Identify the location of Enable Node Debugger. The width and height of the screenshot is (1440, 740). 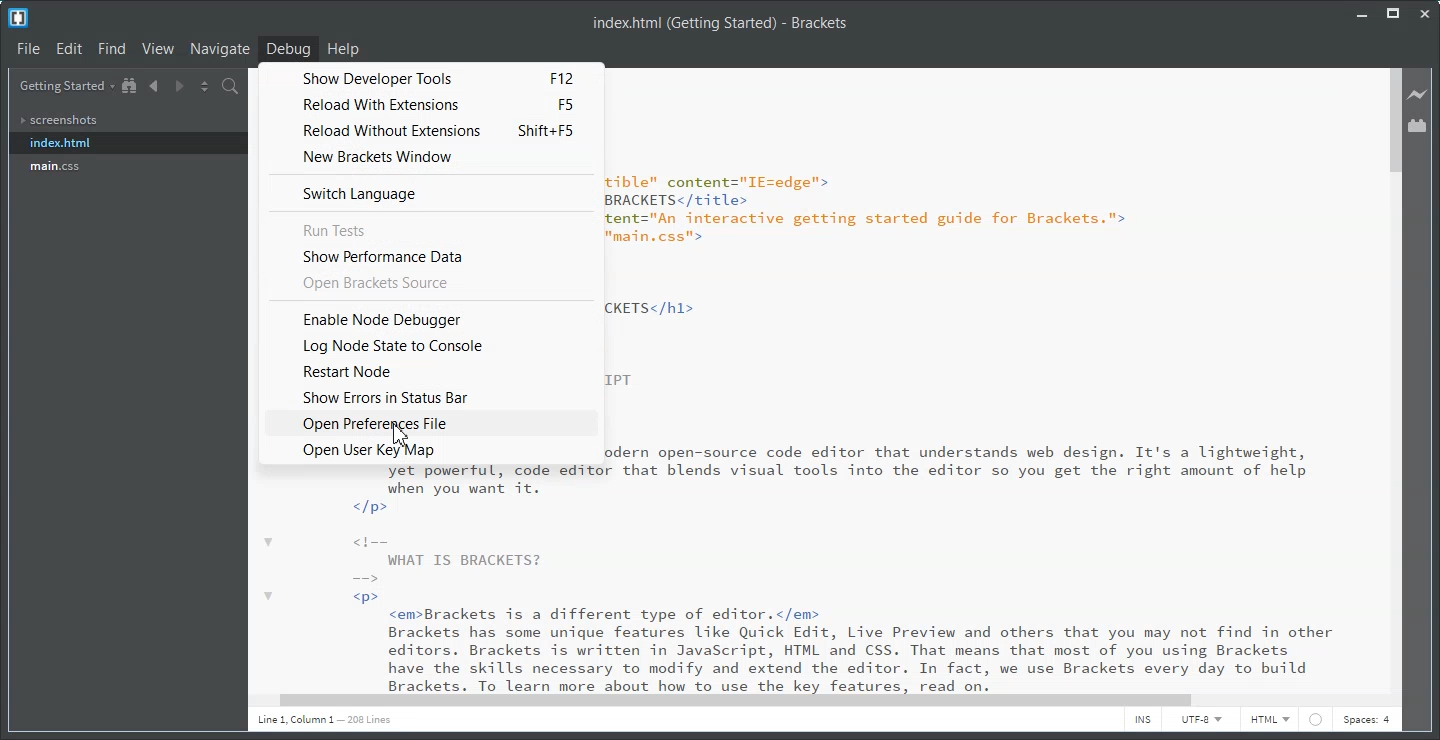
(427, 316).